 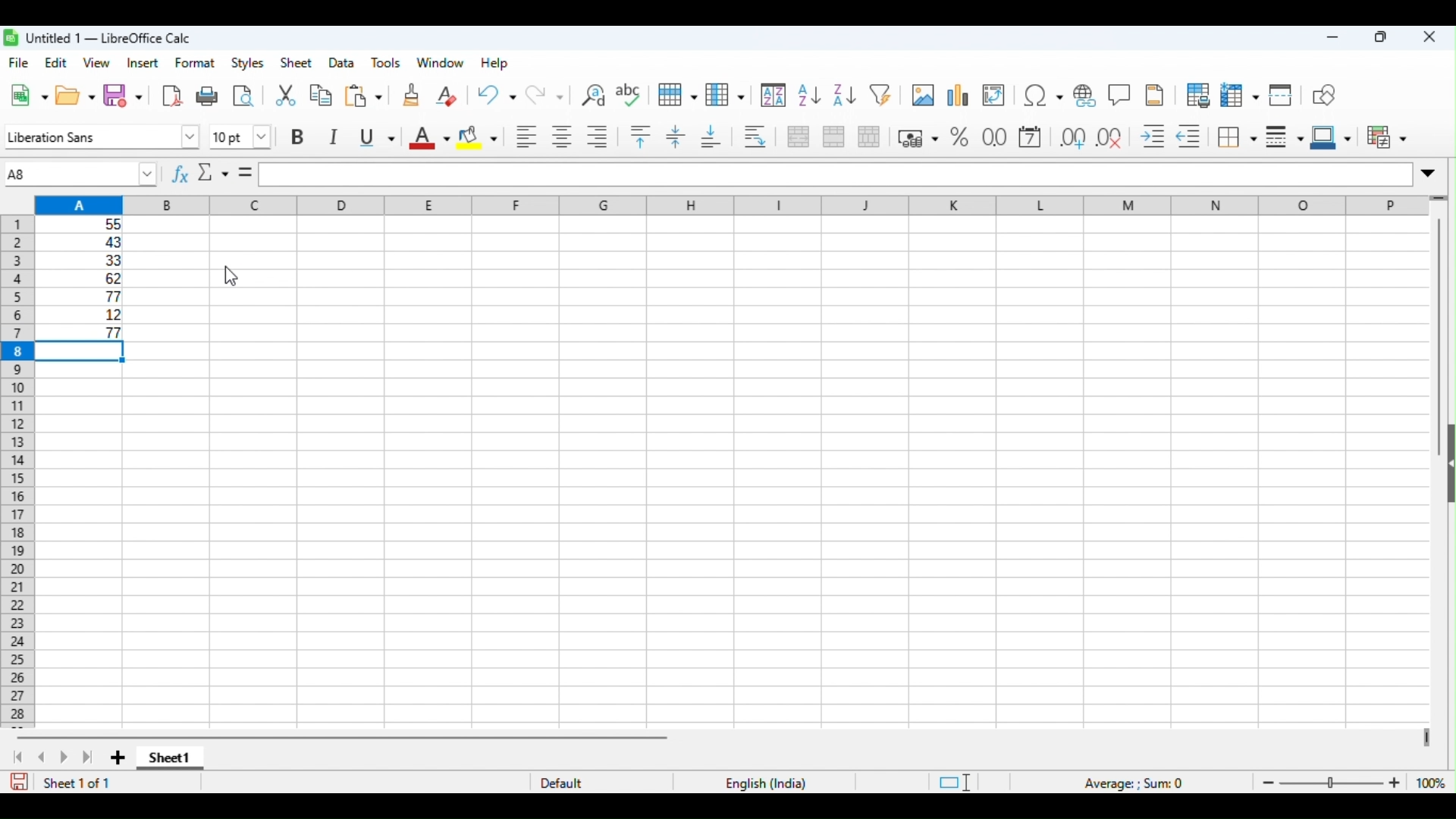 I want to click on unmerge cells, so click(x=869, y=137).